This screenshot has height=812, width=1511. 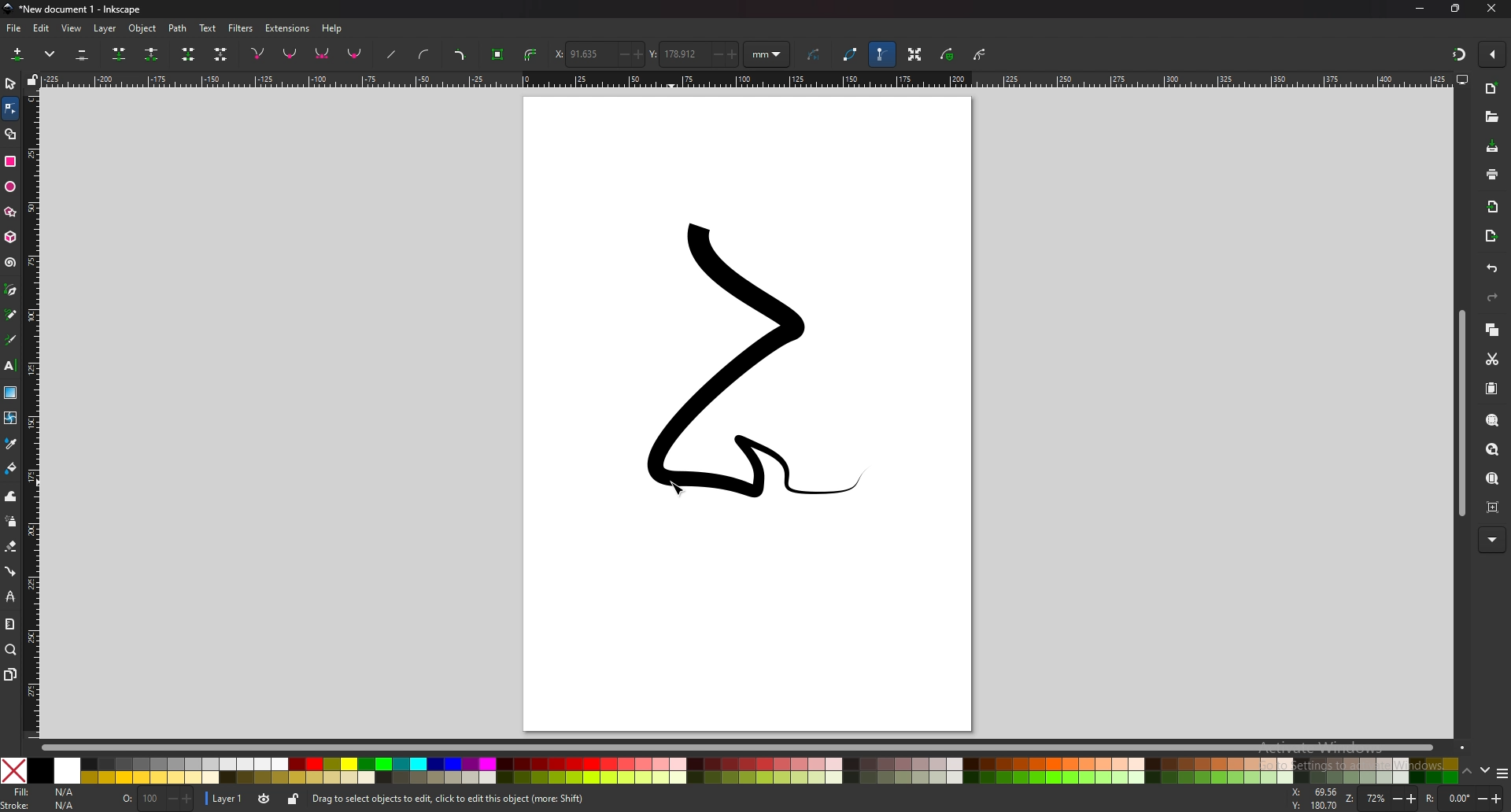 What do you see at coordinates (11, 366) in the screenshot?
I see `text` at bounding box center [11, 366].